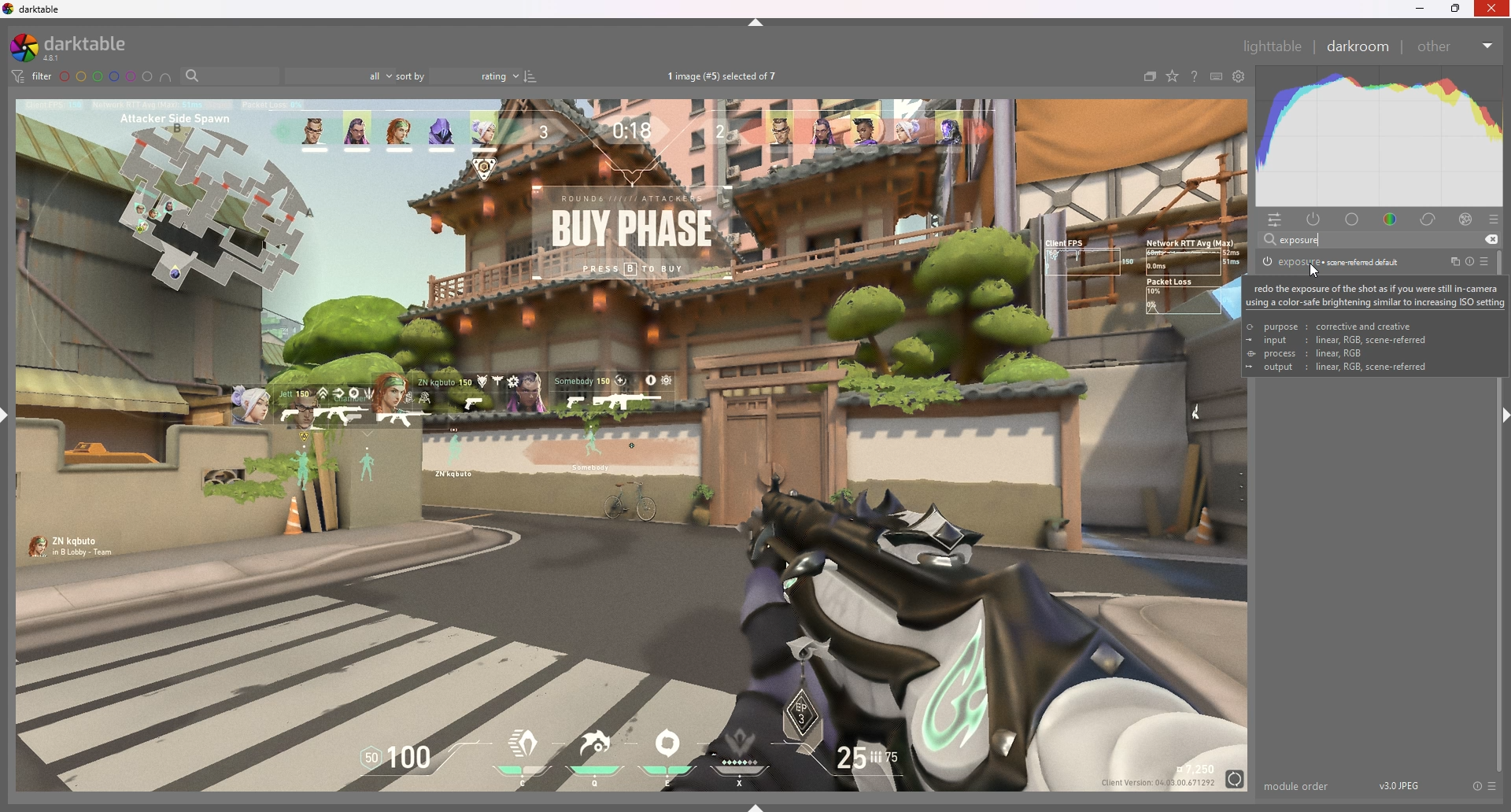  I want to click on lighttable, so click(1273, 46).